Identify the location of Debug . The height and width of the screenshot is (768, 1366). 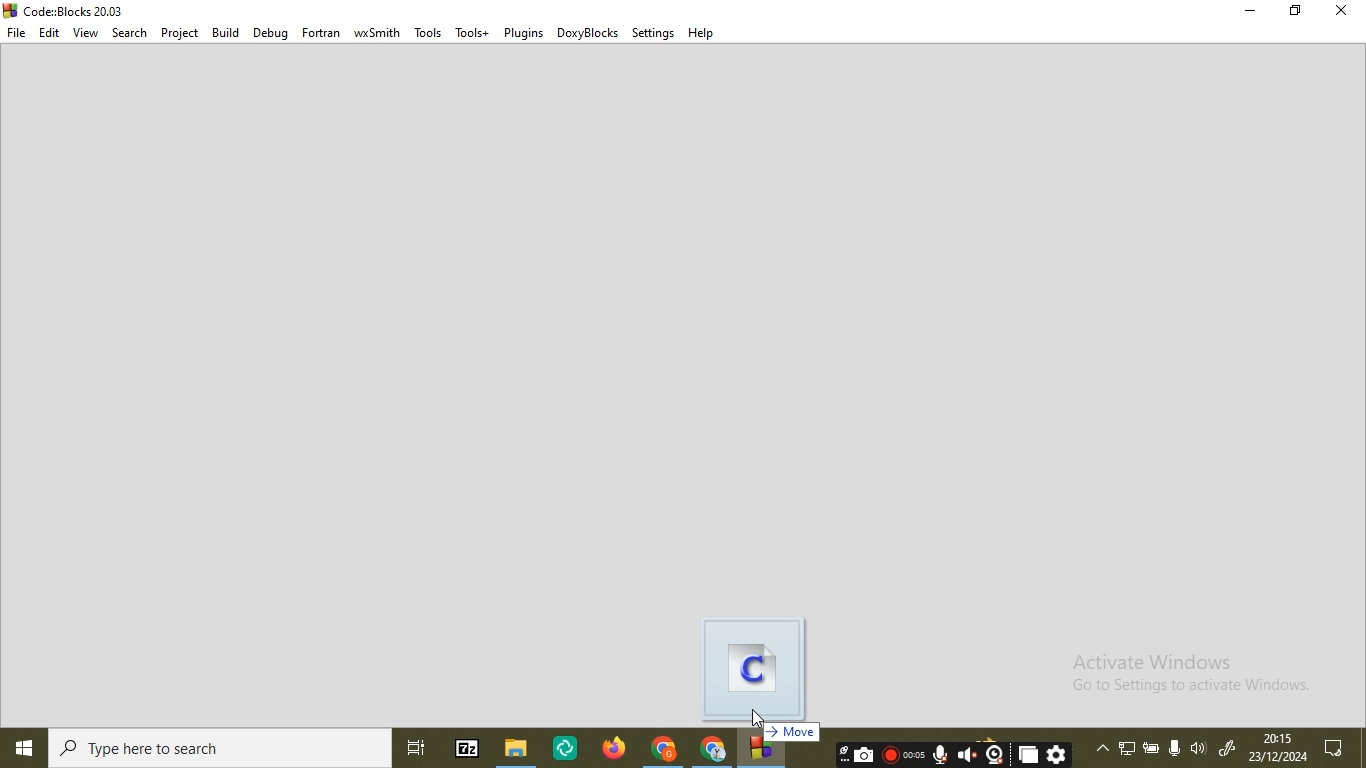
(268, 32).